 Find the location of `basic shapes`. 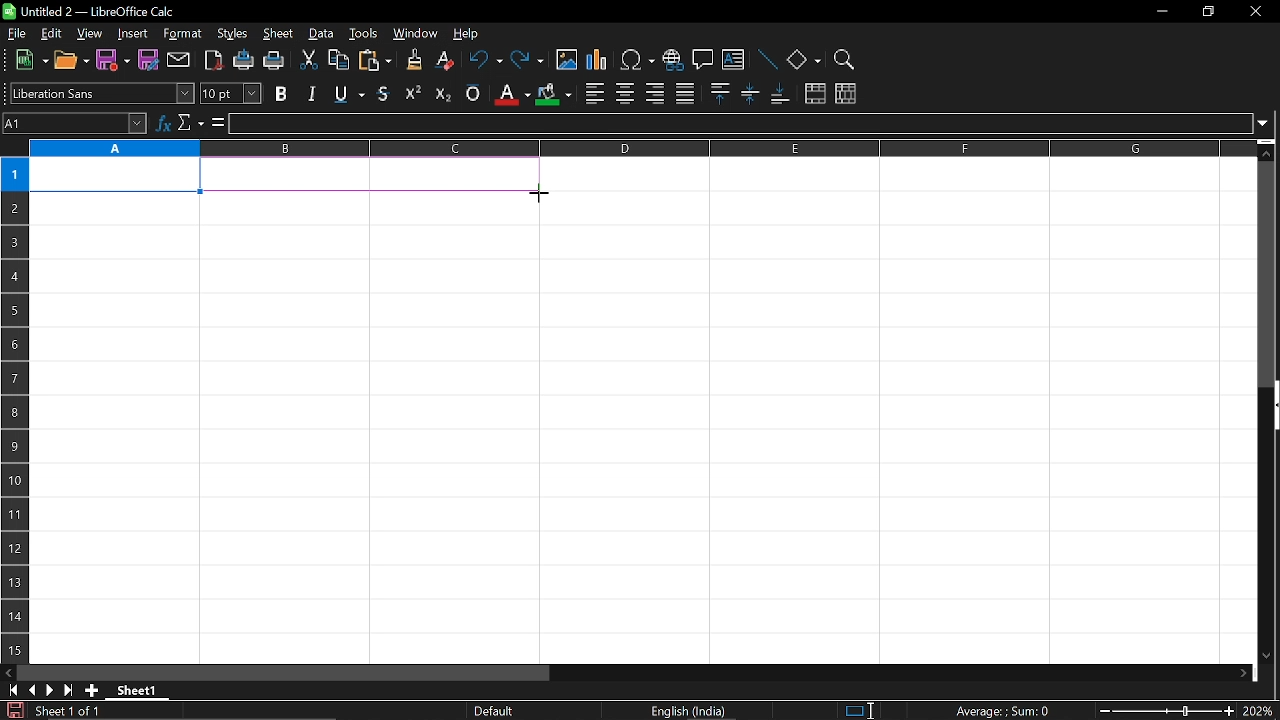

basic shapes is located at coordinates (804, 59).